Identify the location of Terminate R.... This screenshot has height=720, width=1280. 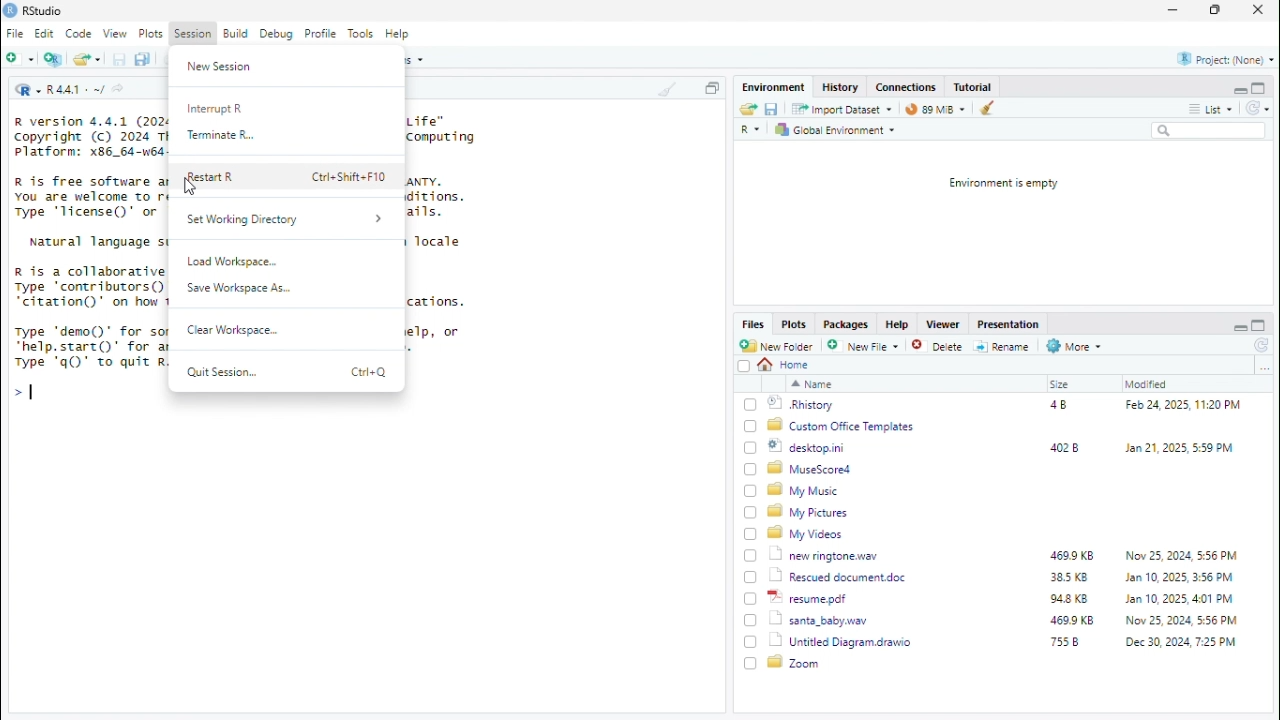
(224, 137).